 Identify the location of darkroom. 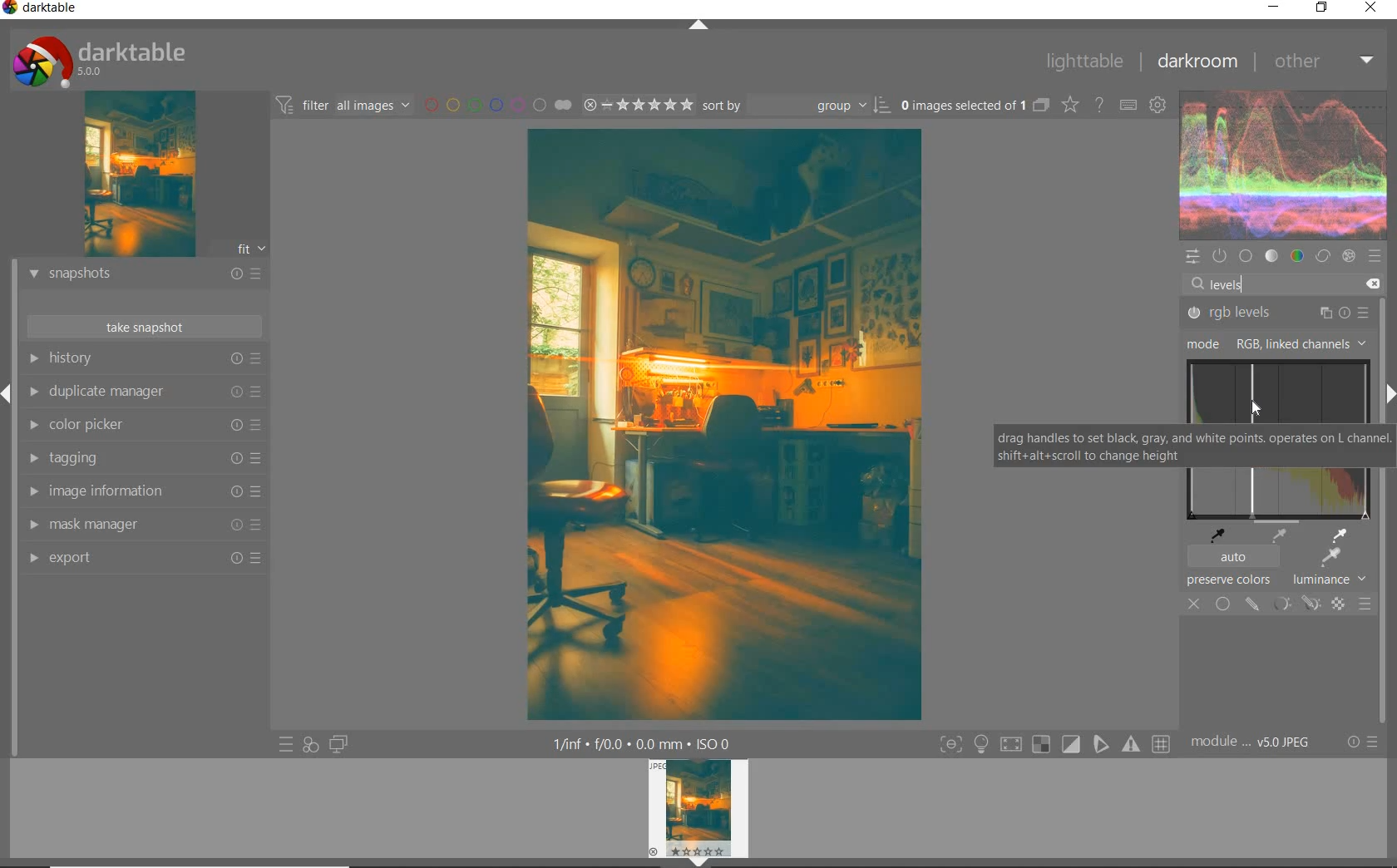
(1200, 62).